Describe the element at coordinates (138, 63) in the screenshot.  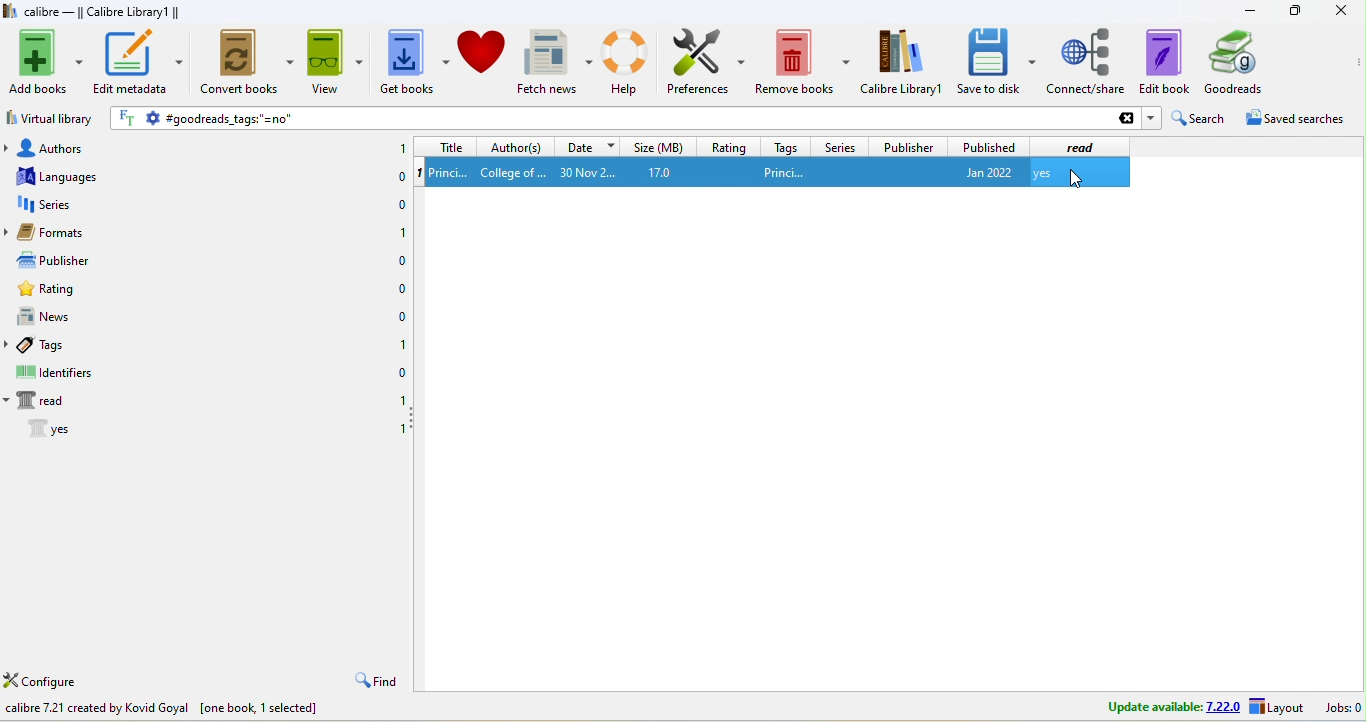
I see `edit metadata` at that location.